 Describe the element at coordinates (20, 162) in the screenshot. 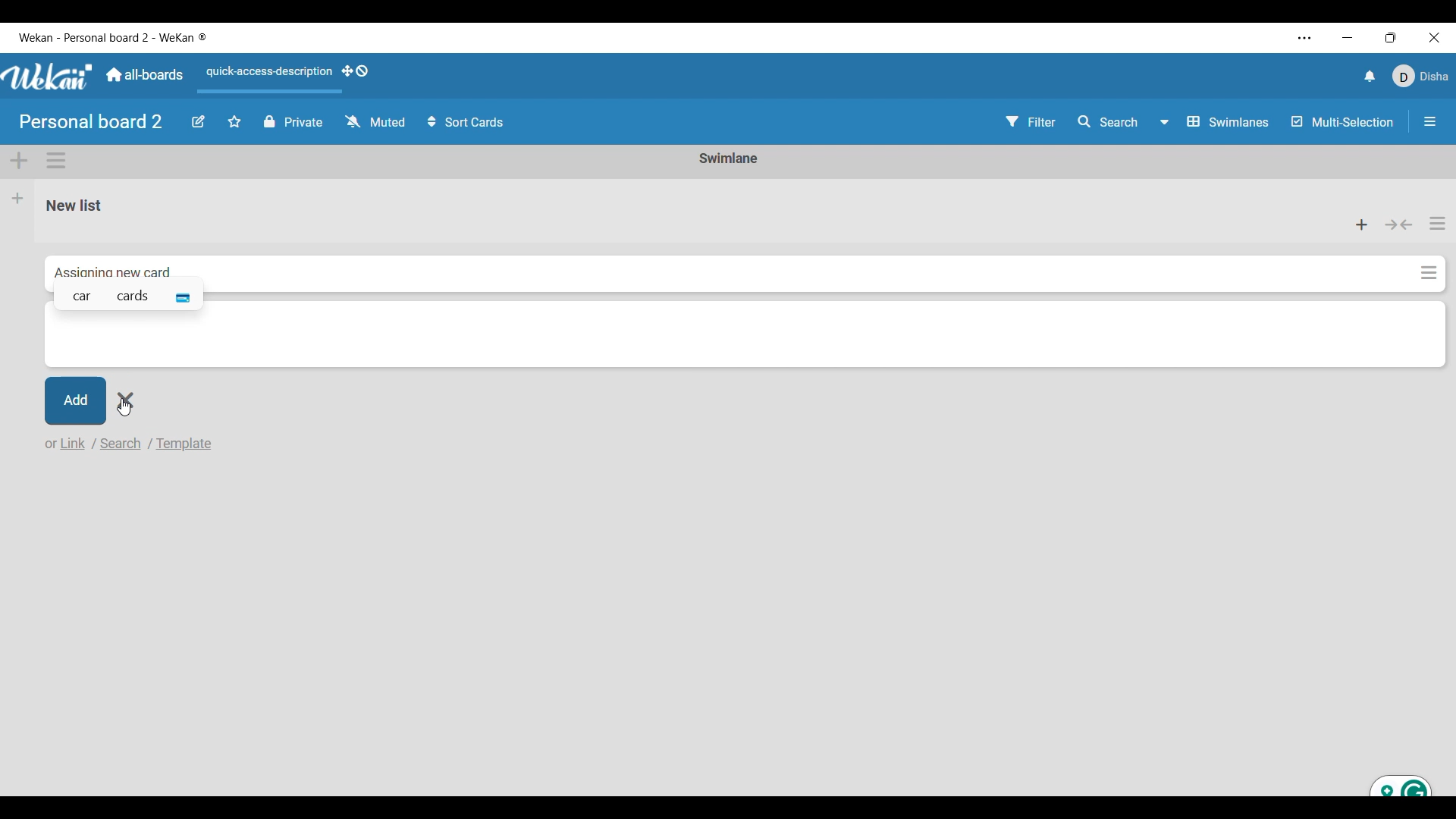

I see `Add swimlane` at that location.